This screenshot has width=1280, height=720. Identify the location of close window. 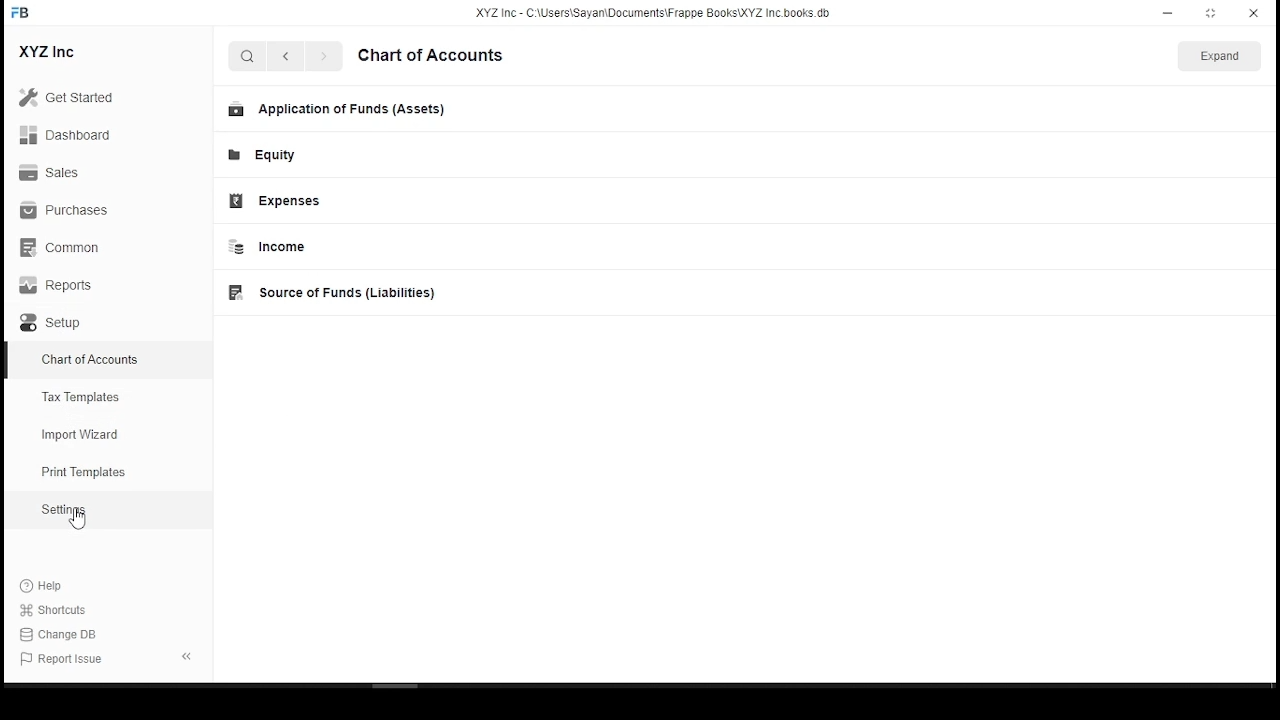
(1252, 14).